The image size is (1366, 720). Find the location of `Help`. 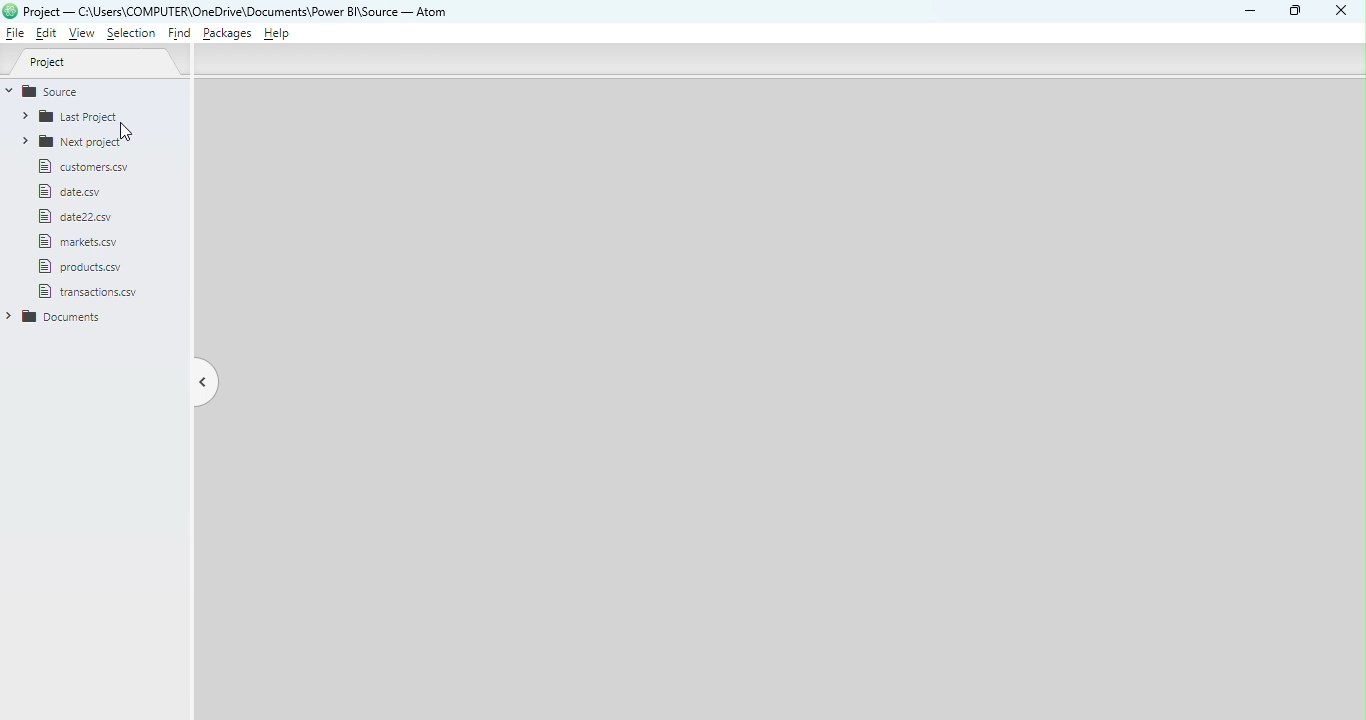

Help is located at coordinates (280, 36).